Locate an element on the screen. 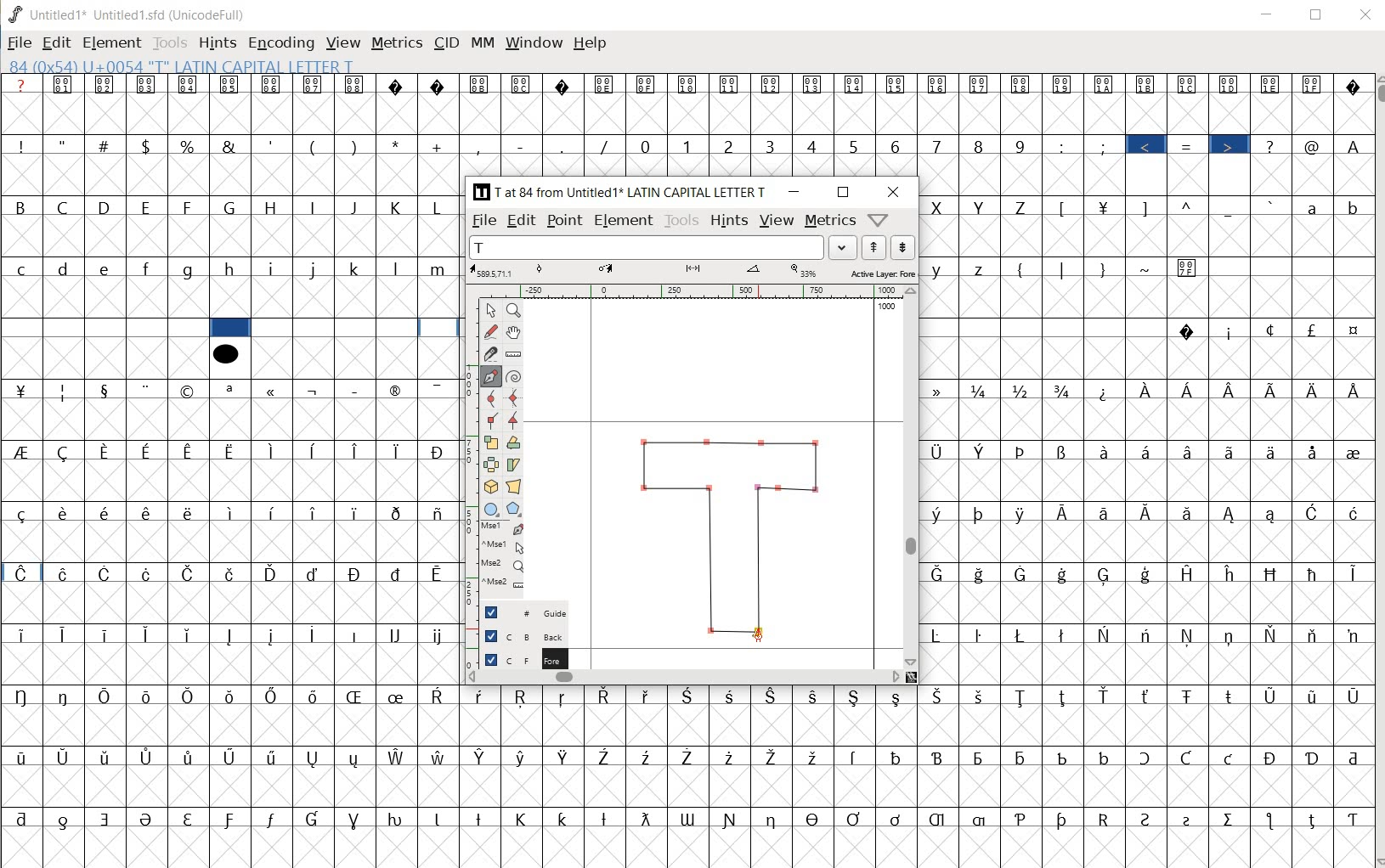  Symbol is located at coordinates (398, 757).